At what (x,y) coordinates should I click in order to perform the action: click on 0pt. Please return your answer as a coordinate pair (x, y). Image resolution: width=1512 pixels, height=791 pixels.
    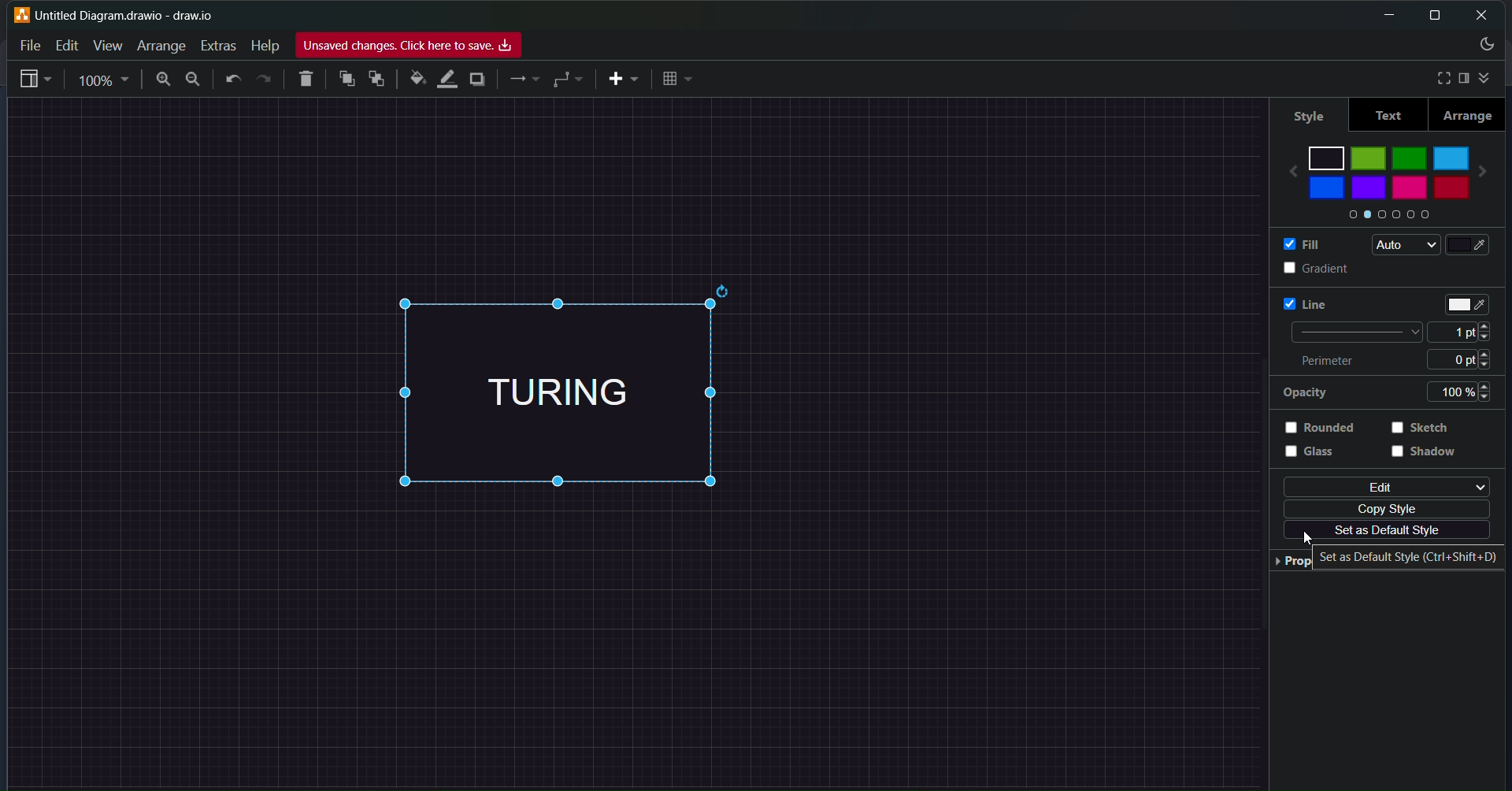
    Looking at the image, I should click on (1471, 358).